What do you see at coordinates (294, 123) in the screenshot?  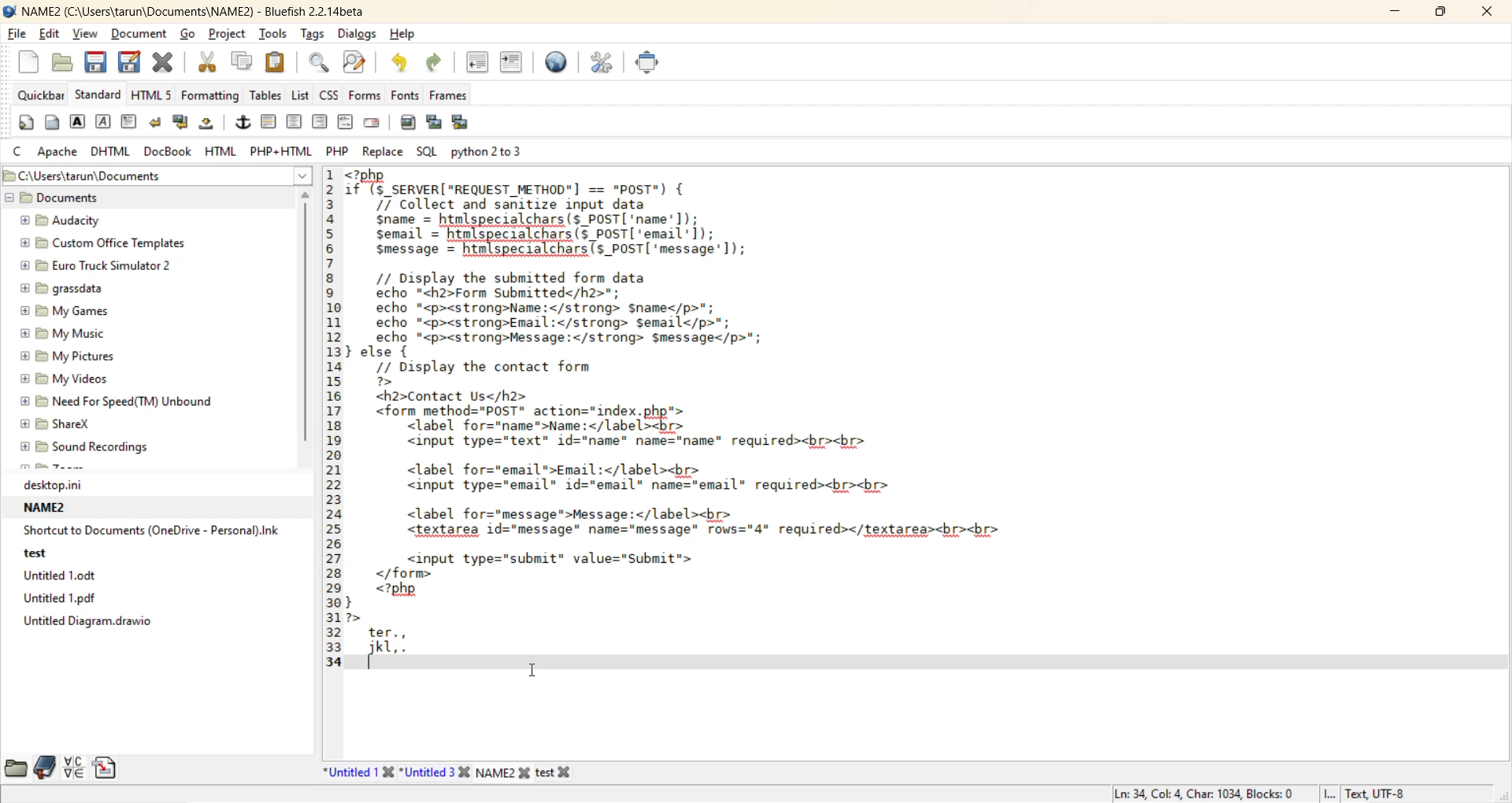 I see `center` at bounding box center [294, 123].